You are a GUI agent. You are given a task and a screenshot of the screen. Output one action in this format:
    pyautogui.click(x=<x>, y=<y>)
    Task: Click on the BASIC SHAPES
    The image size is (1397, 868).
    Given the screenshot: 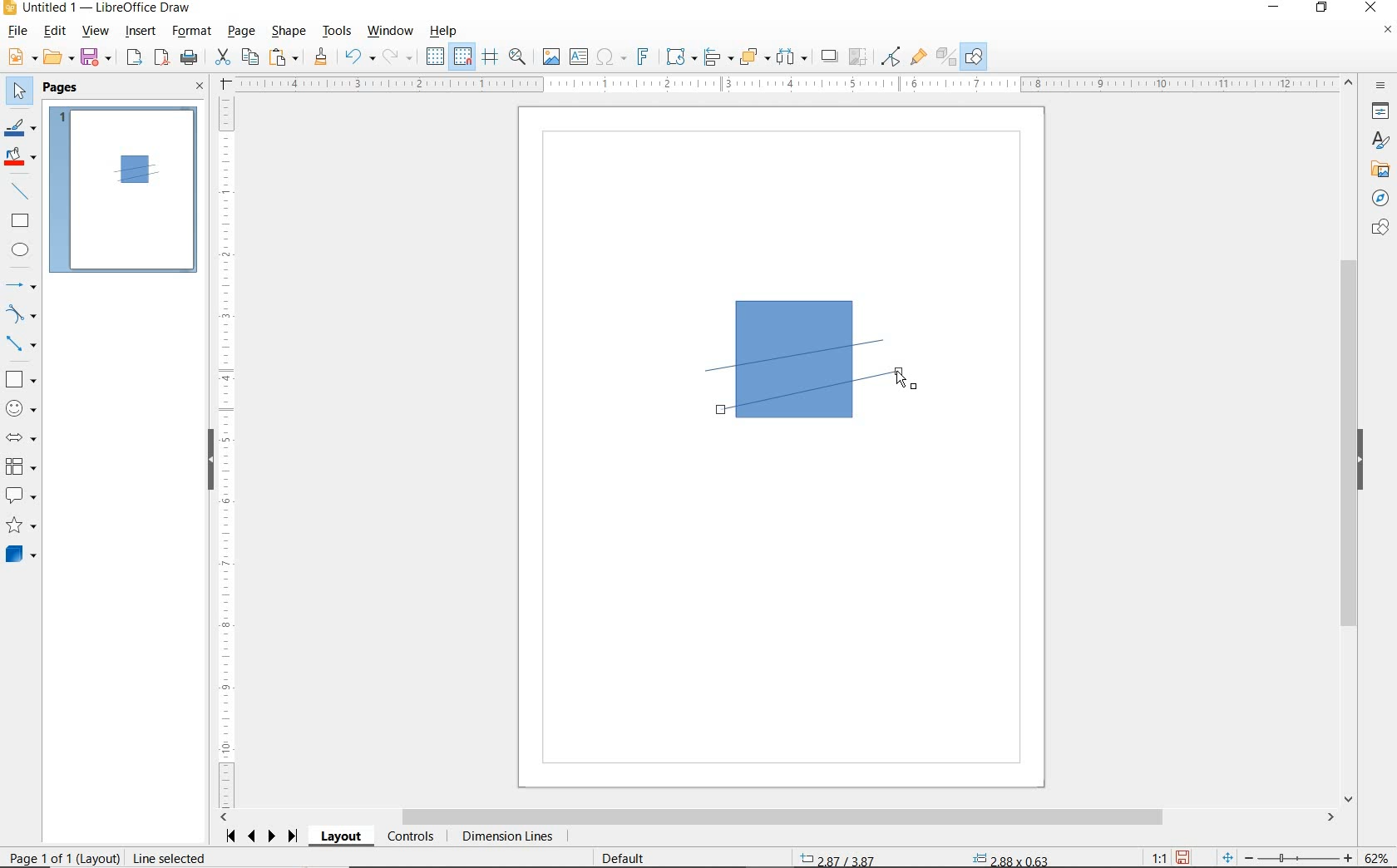 What is the action you would take?
    pyautogui.click(x=19, y=377)
    